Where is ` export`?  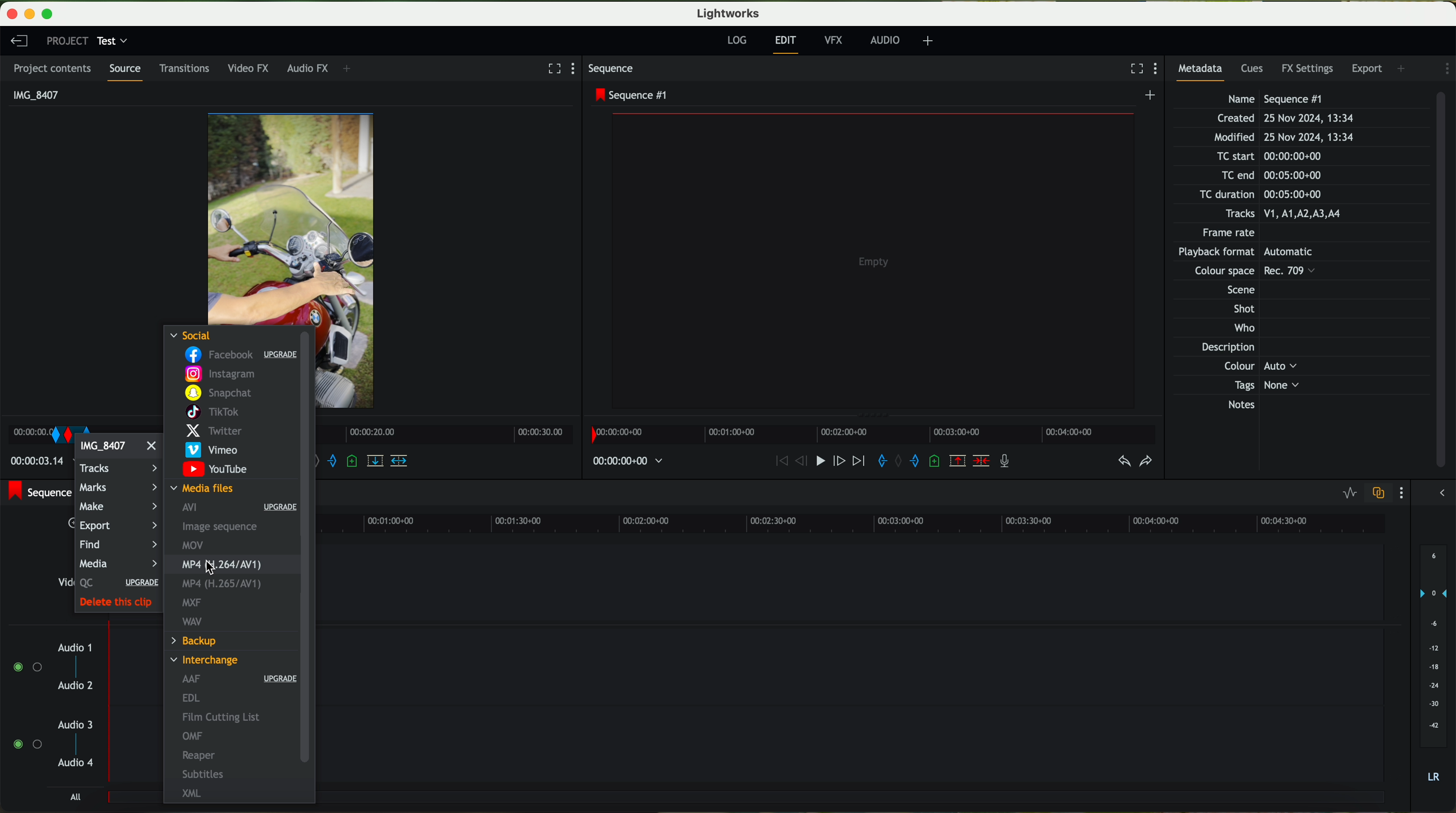  export is located at coordinates (110, 527).